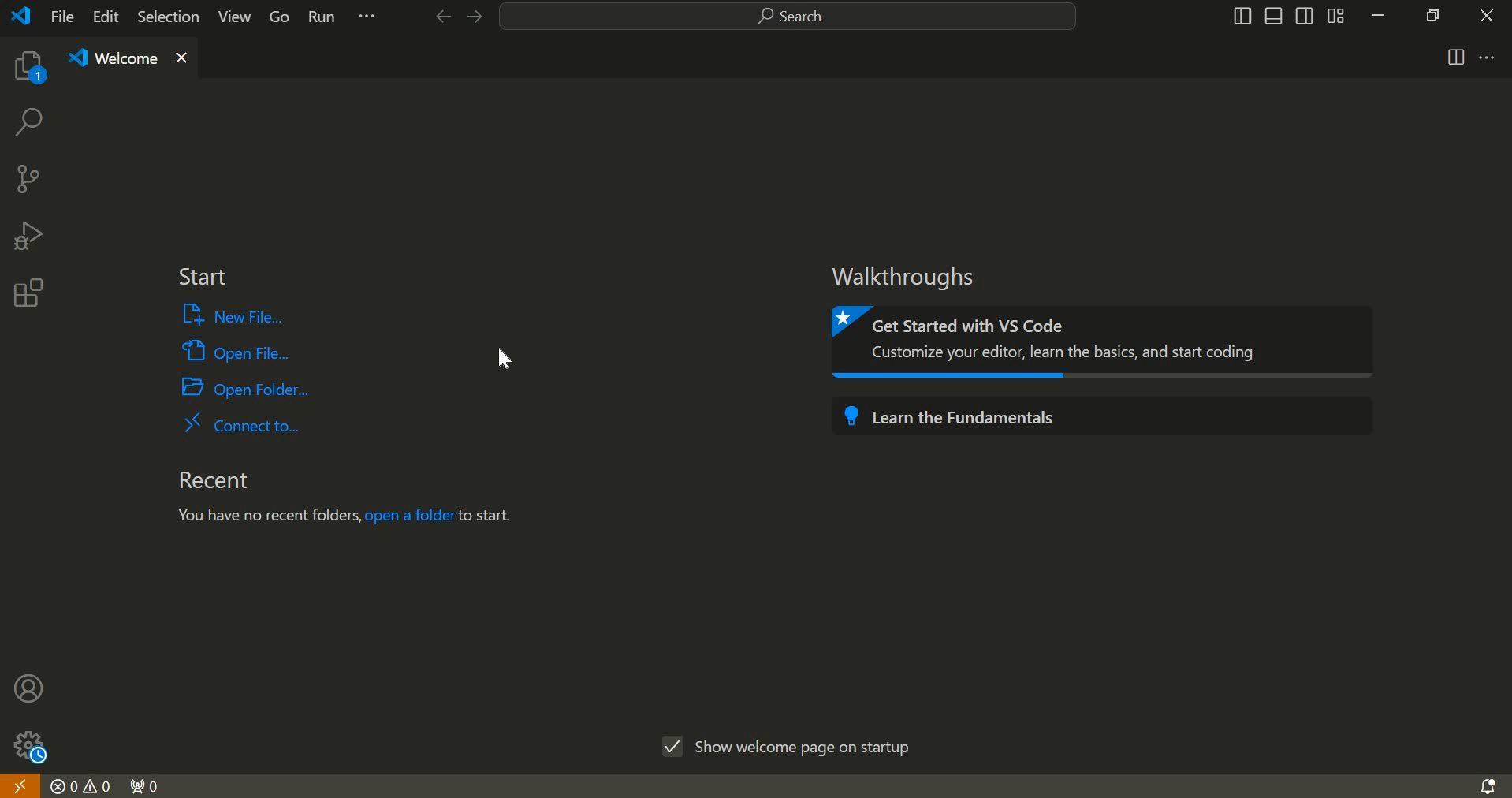  What do you see at coordinates (19, 785) in the screenshot?
I see `open a remote window` at bounding box center [19, 785].